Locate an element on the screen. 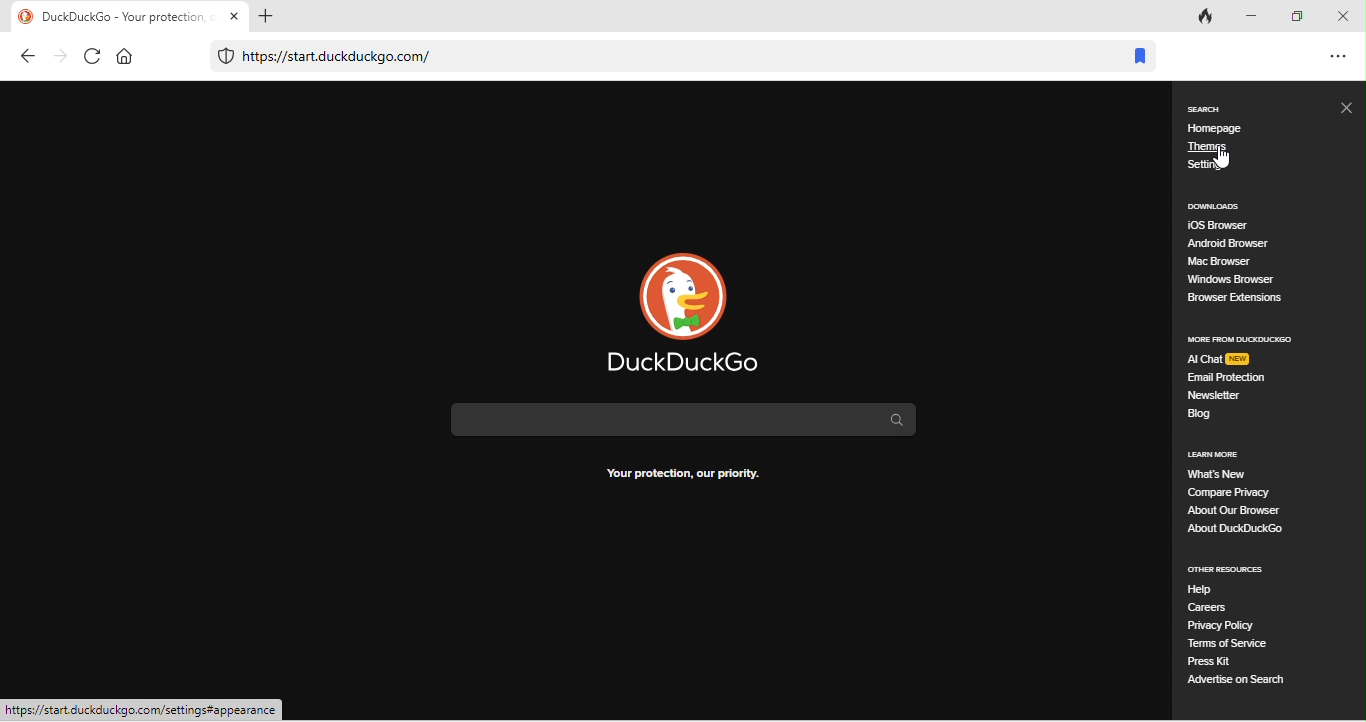  mac browser is located at coordinates (1242, 263).